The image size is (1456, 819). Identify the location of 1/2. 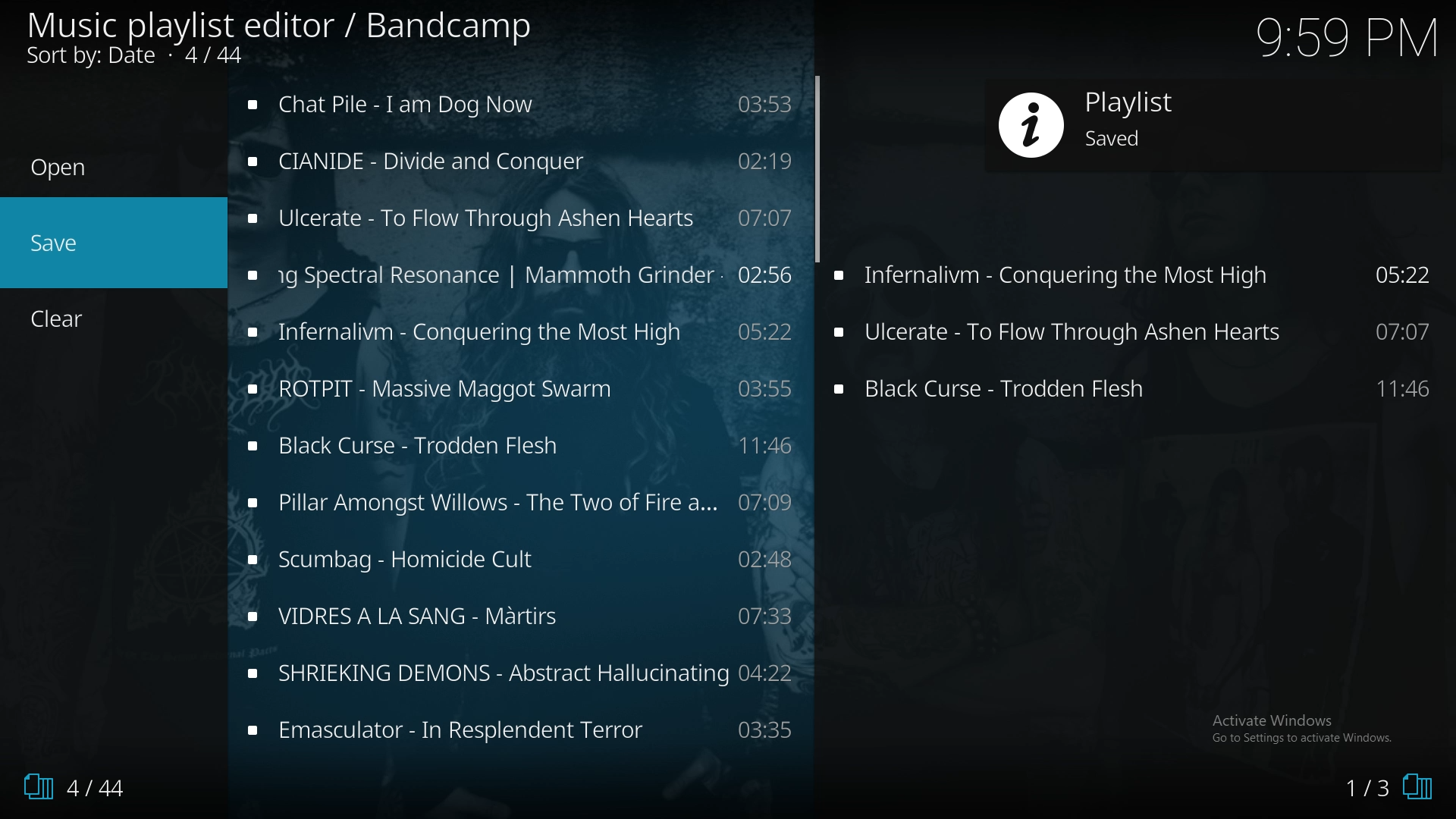
(1381, 790).